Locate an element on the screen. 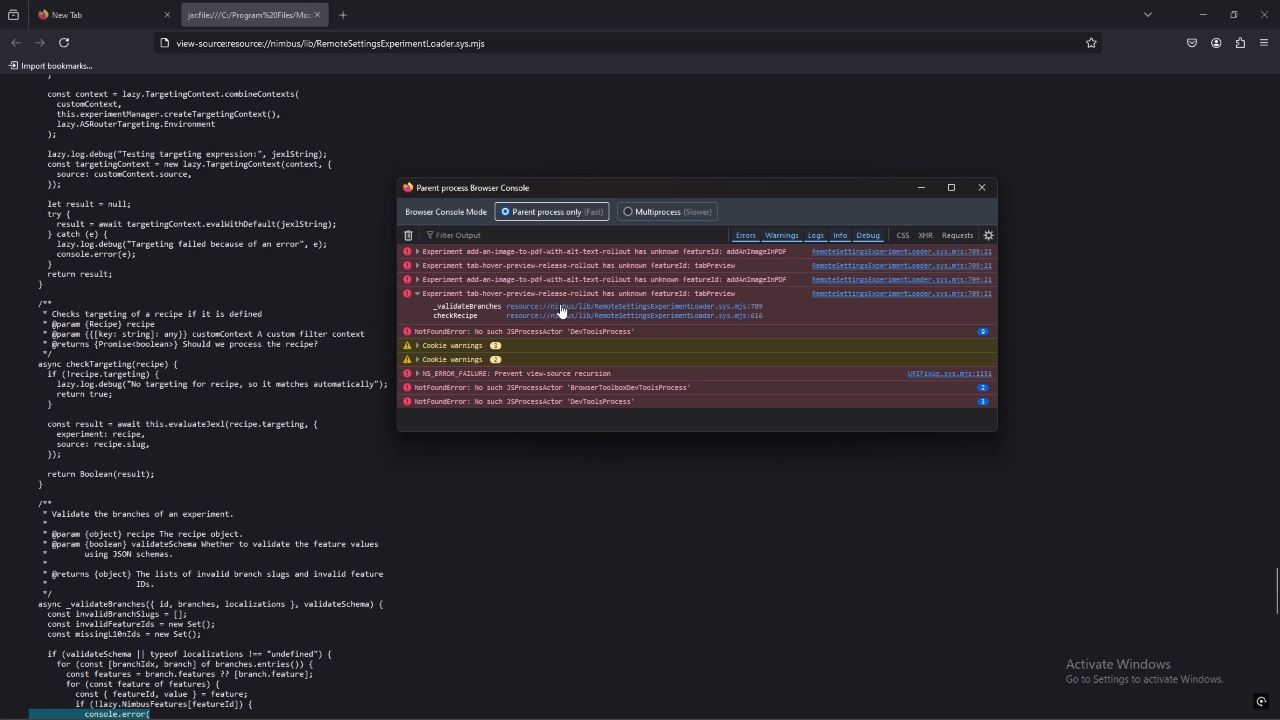 This screenshot has height=720, width=1280. add tab is located at coordinates (344, 16).